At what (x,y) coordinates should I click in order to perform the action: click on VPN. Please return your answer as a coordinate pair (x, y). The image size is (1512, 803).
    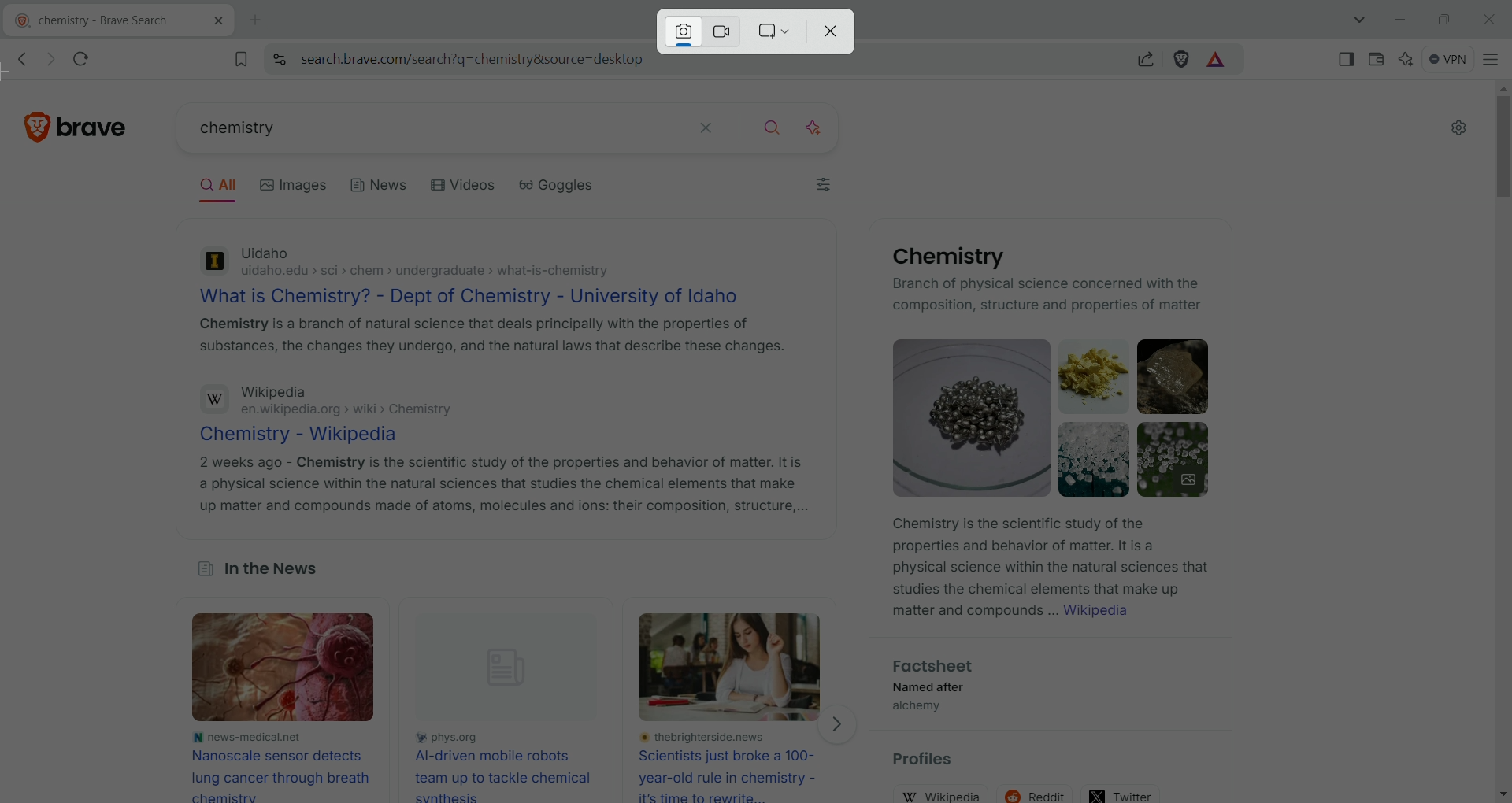
    Looking at the image, I should click on (1444, 57).